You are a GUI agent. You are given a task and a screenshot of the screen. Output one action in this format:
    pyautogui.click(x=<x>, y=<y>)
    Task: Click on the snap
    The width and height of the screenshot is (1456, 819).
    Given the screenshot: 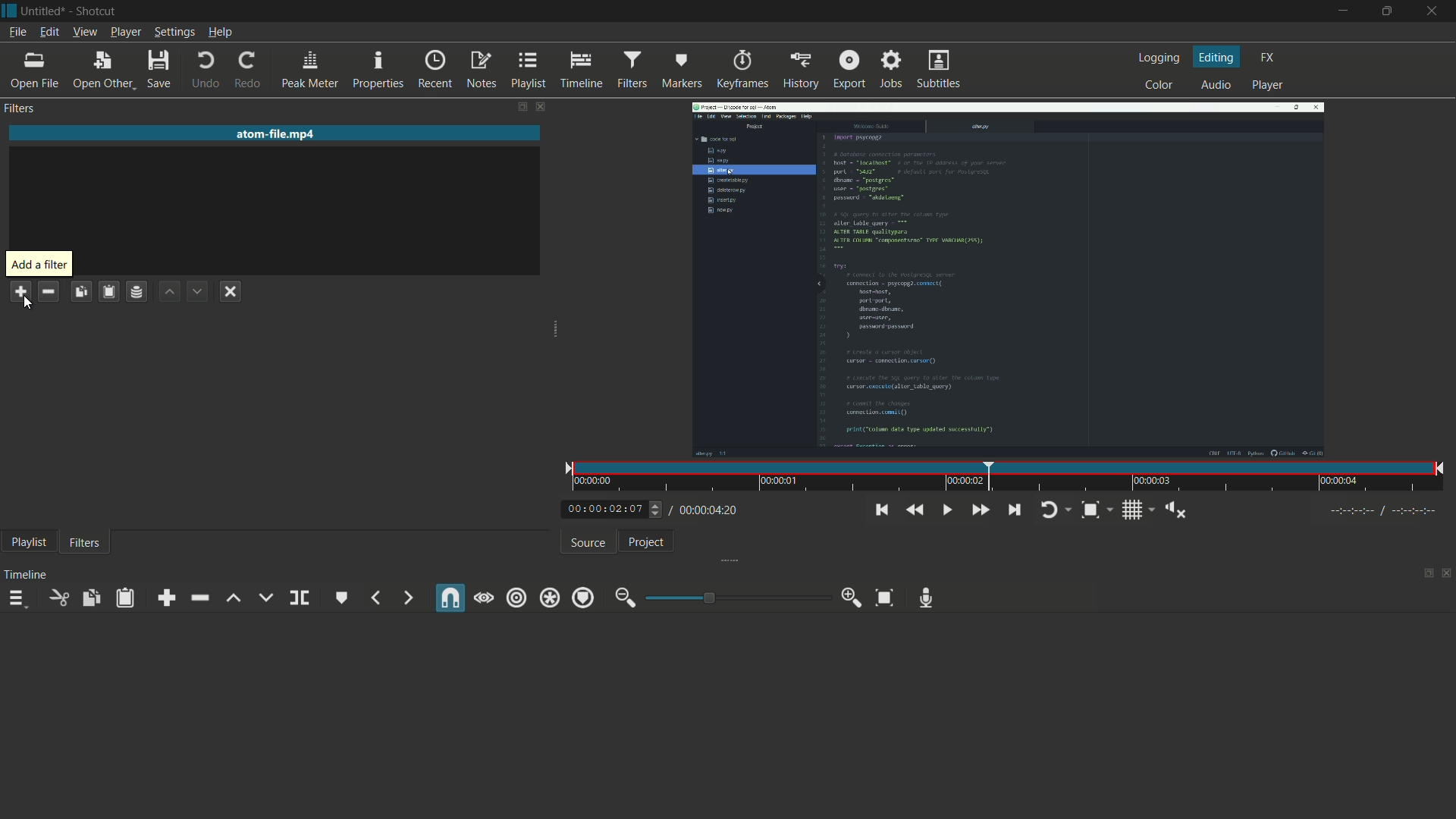 What is the action you would take?
    pyautogui.click(x=451, y=598)
    